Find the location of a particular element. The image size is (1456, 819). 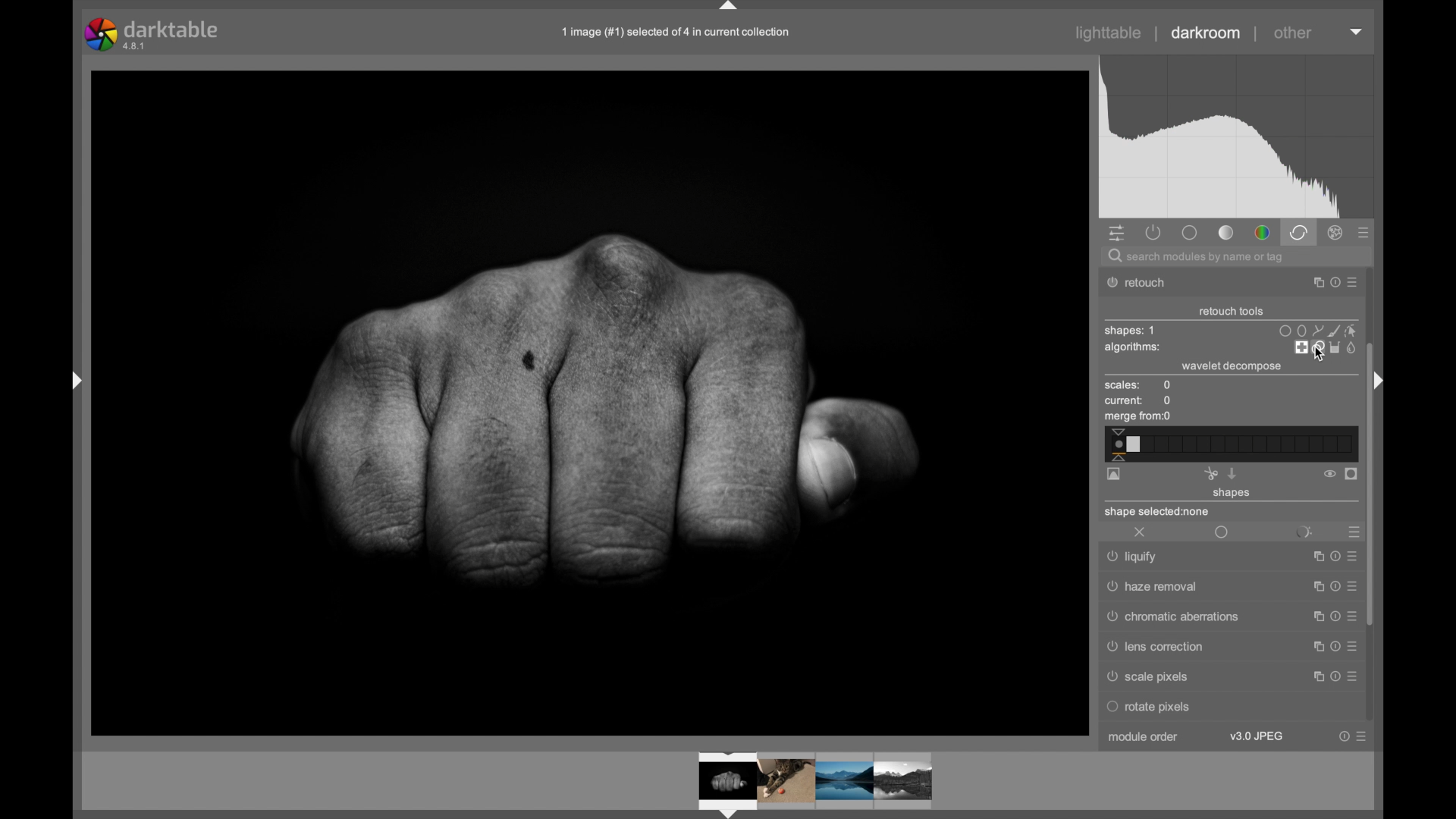

wavelet decompose is located at coordinates (1230, 366).